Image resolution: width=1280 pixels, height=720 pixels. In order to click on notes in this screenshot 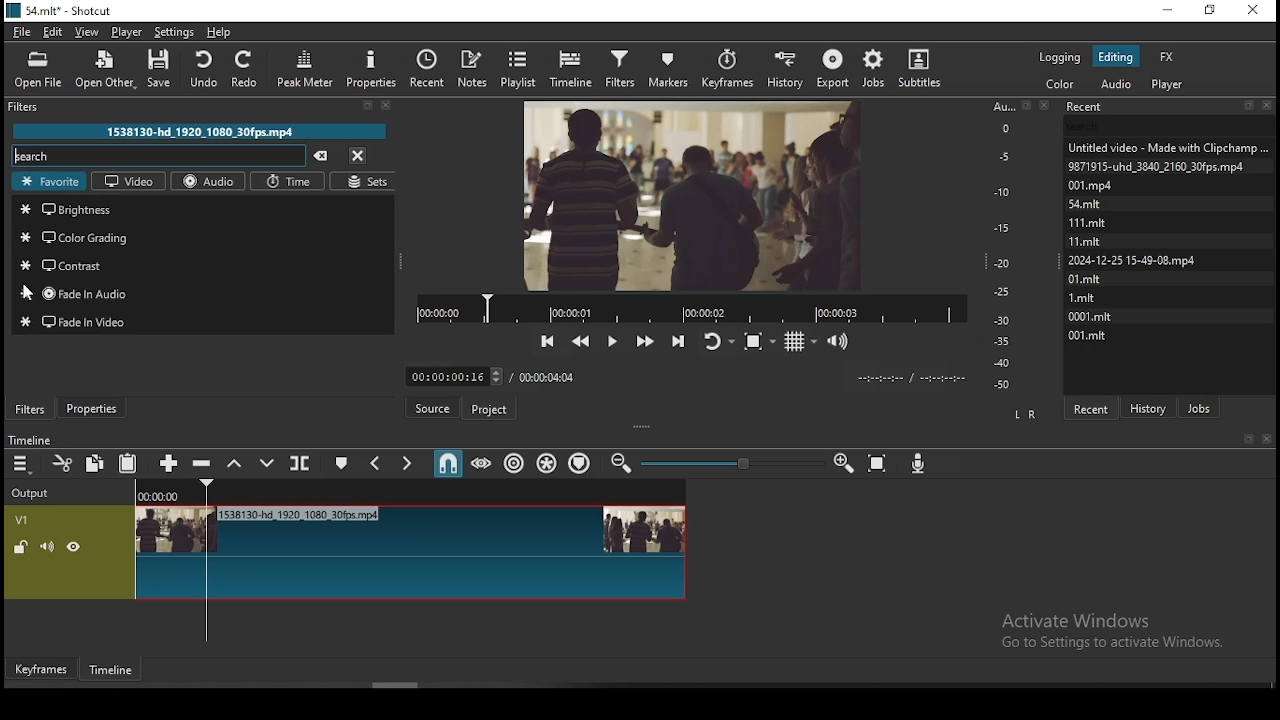, I will do `click(471, 68)`.